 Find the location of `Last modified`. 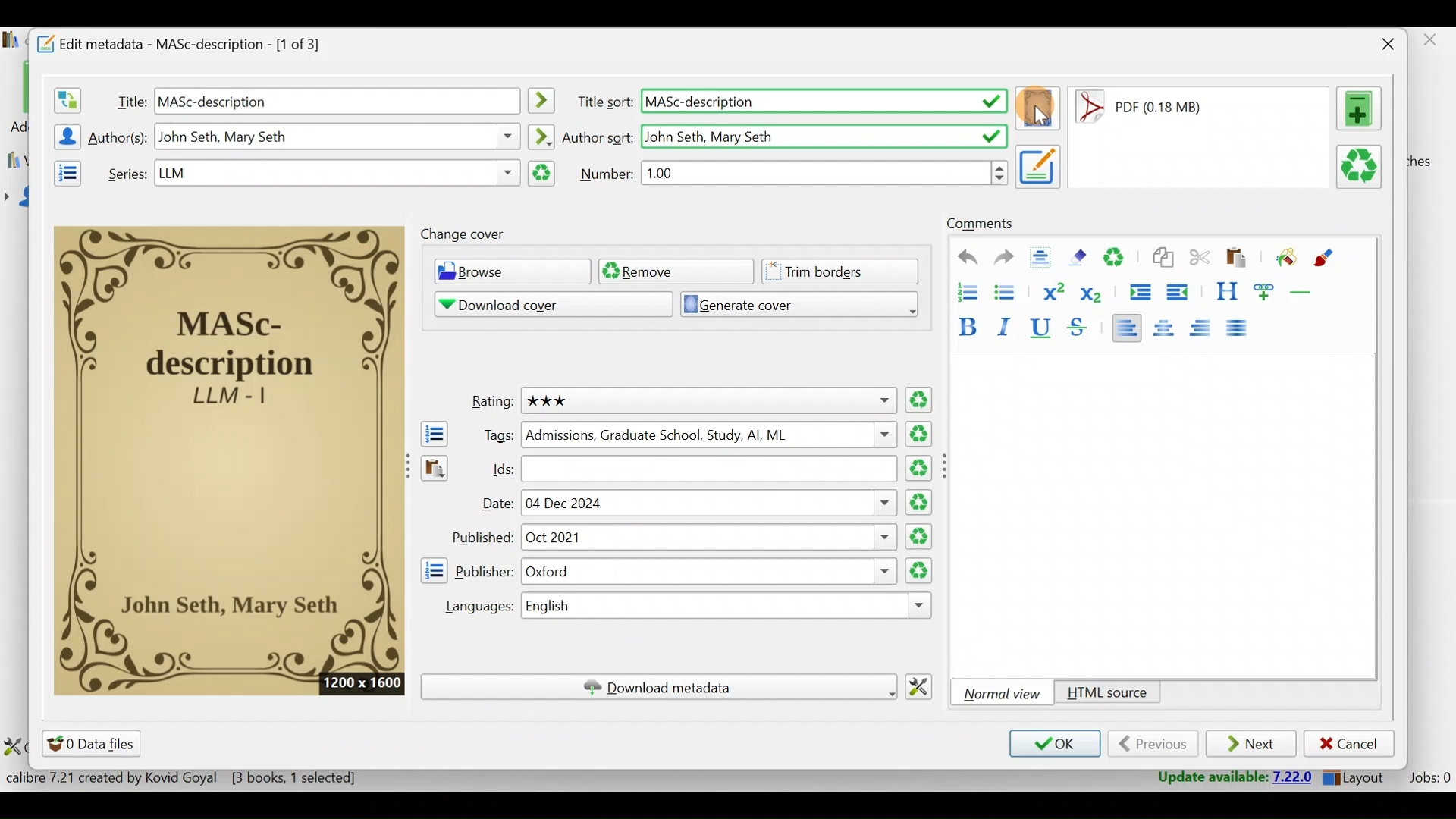

Last modified is located at coordinates (1159, 107).